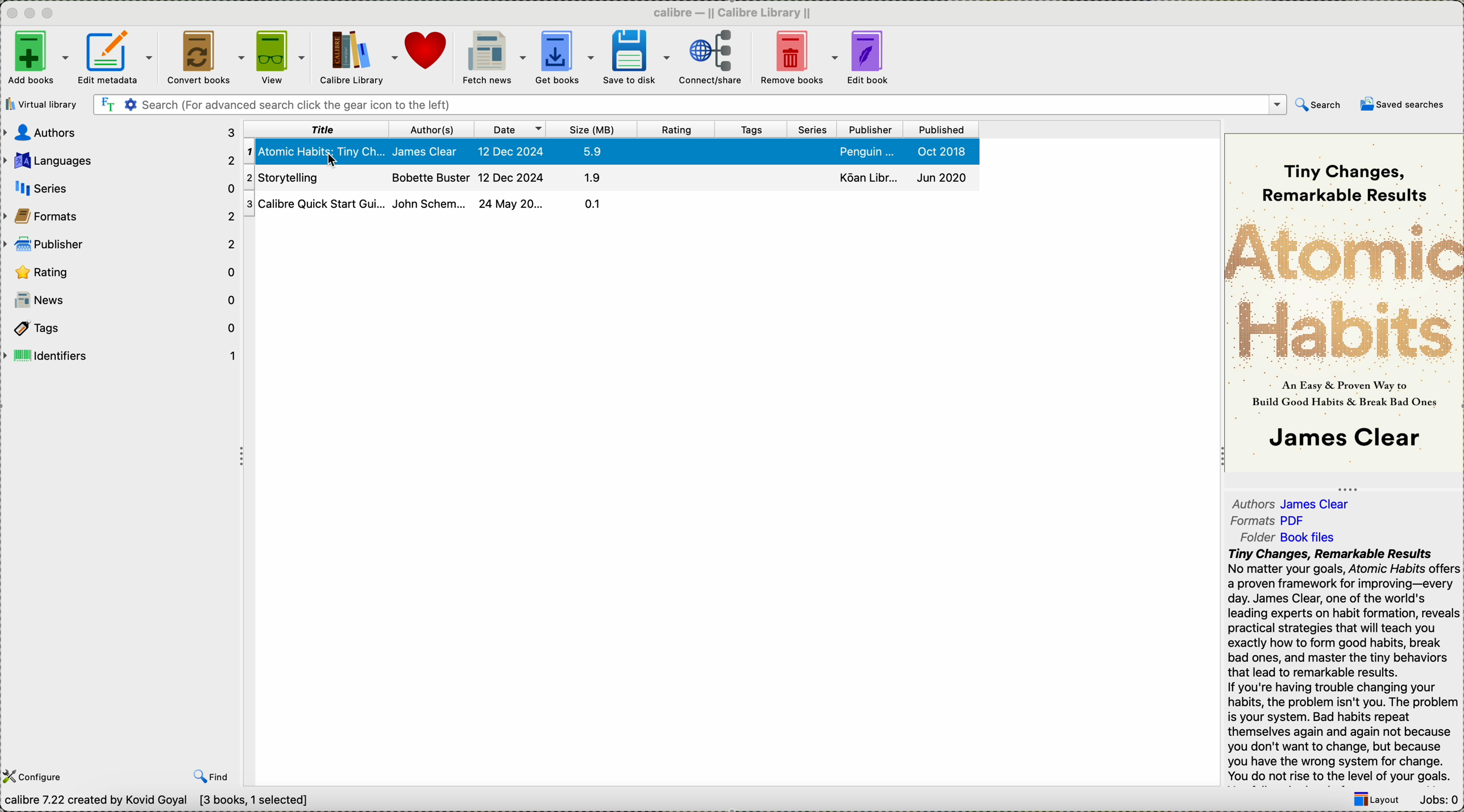 Image resolution: width=1464 pixels, height=812 pixels. I want to click on edit metadata, so click(118, 60).